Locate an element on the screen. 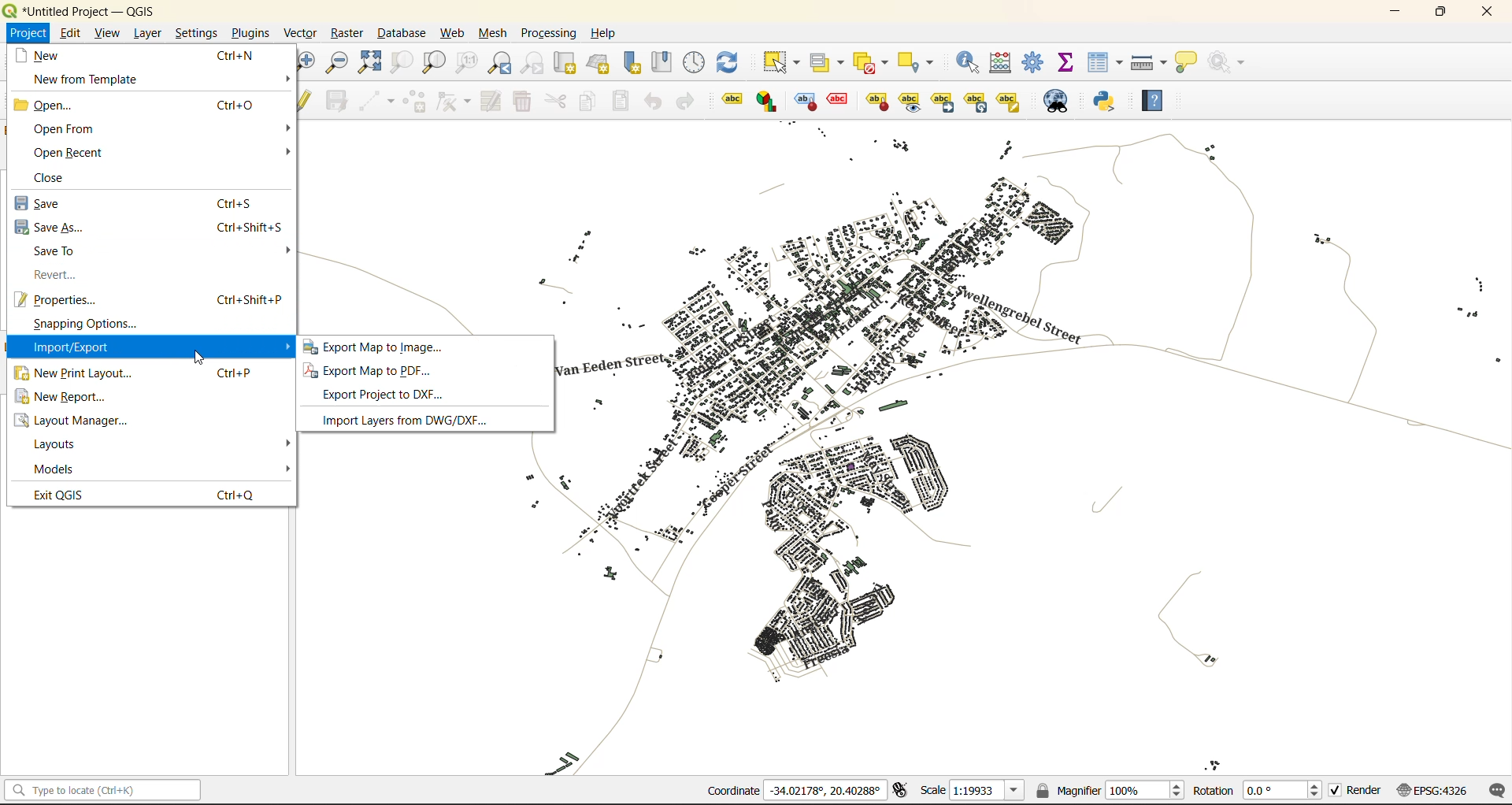 The width and height of the screenshot is (1512, 805). zoom in is located at coordinates (307, 61).